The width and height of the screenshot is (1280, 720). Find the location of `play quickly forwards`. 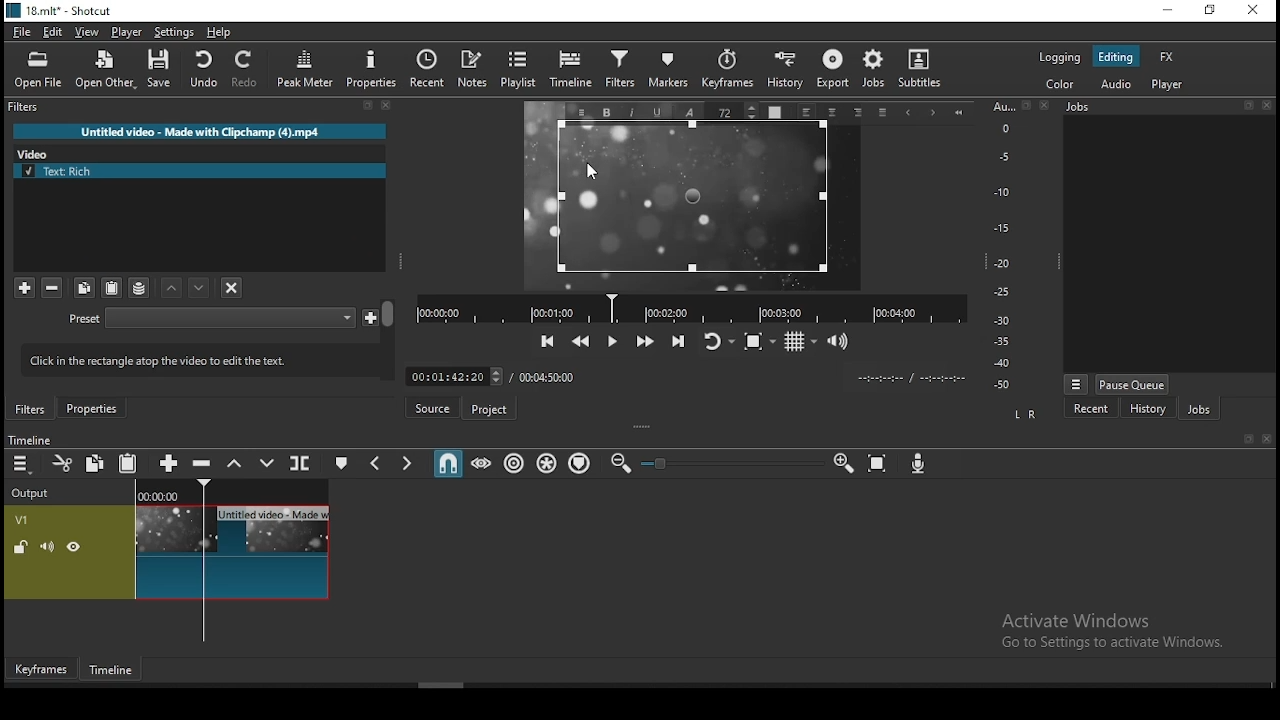

play quickly forwards is located at coordinates (647, 340).